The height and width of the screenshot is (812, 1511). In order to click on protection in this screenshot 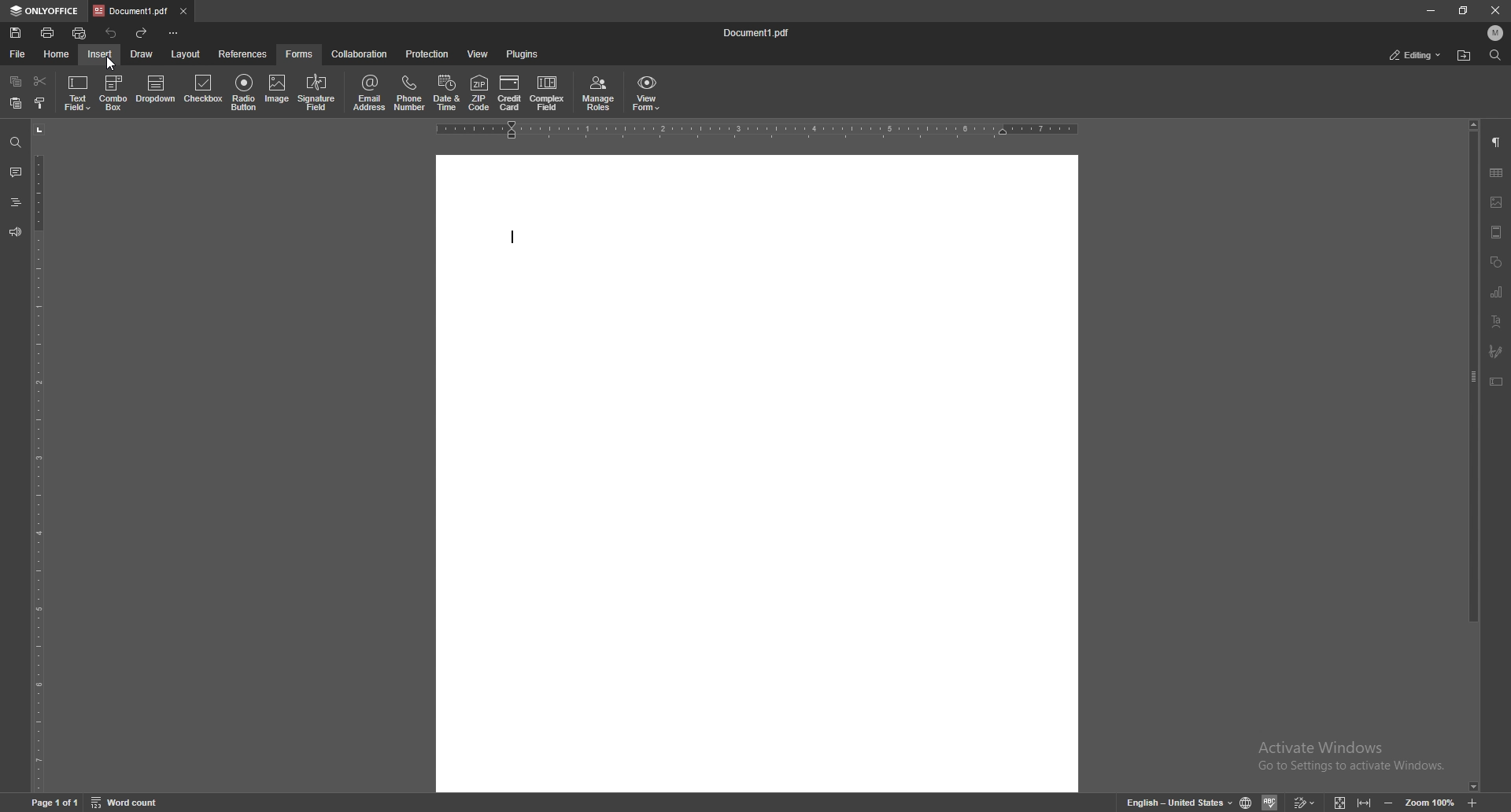, I will do `click(428, 54)`.